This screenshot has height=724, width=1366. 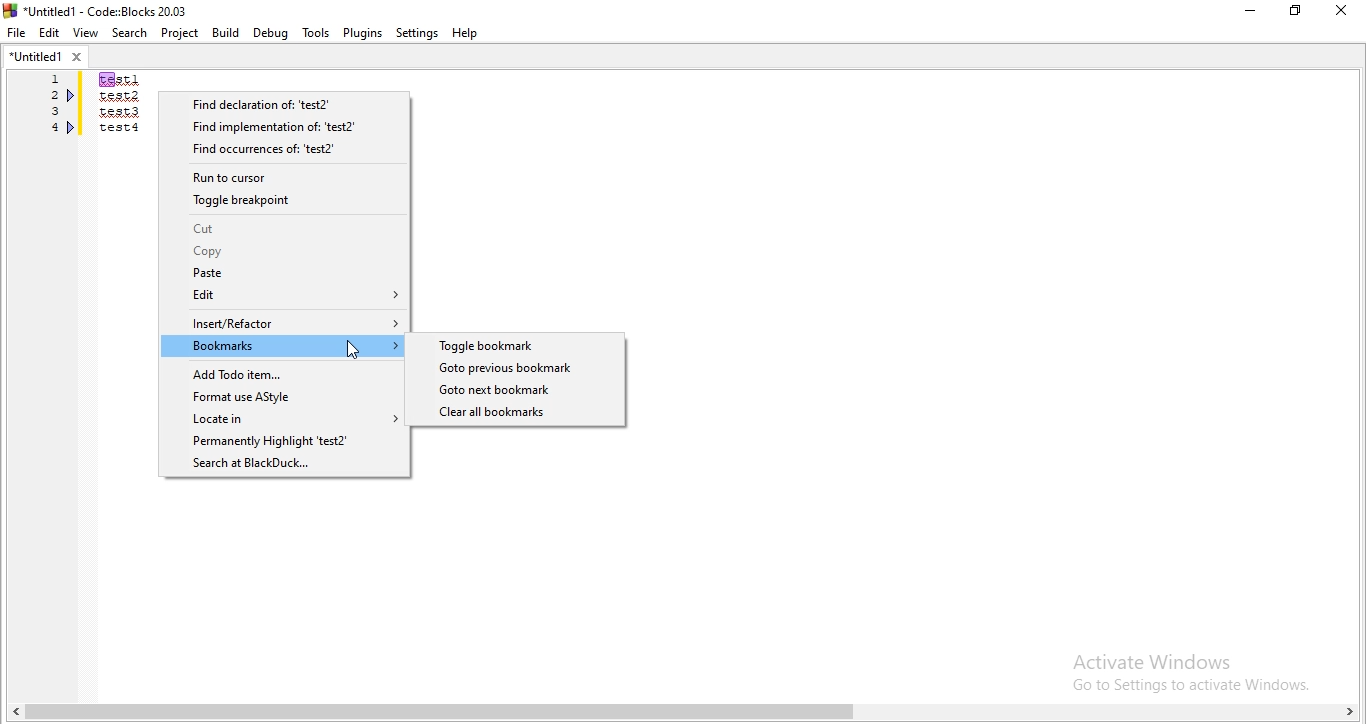 I want to click on Cut, so click(x=286, y=229).